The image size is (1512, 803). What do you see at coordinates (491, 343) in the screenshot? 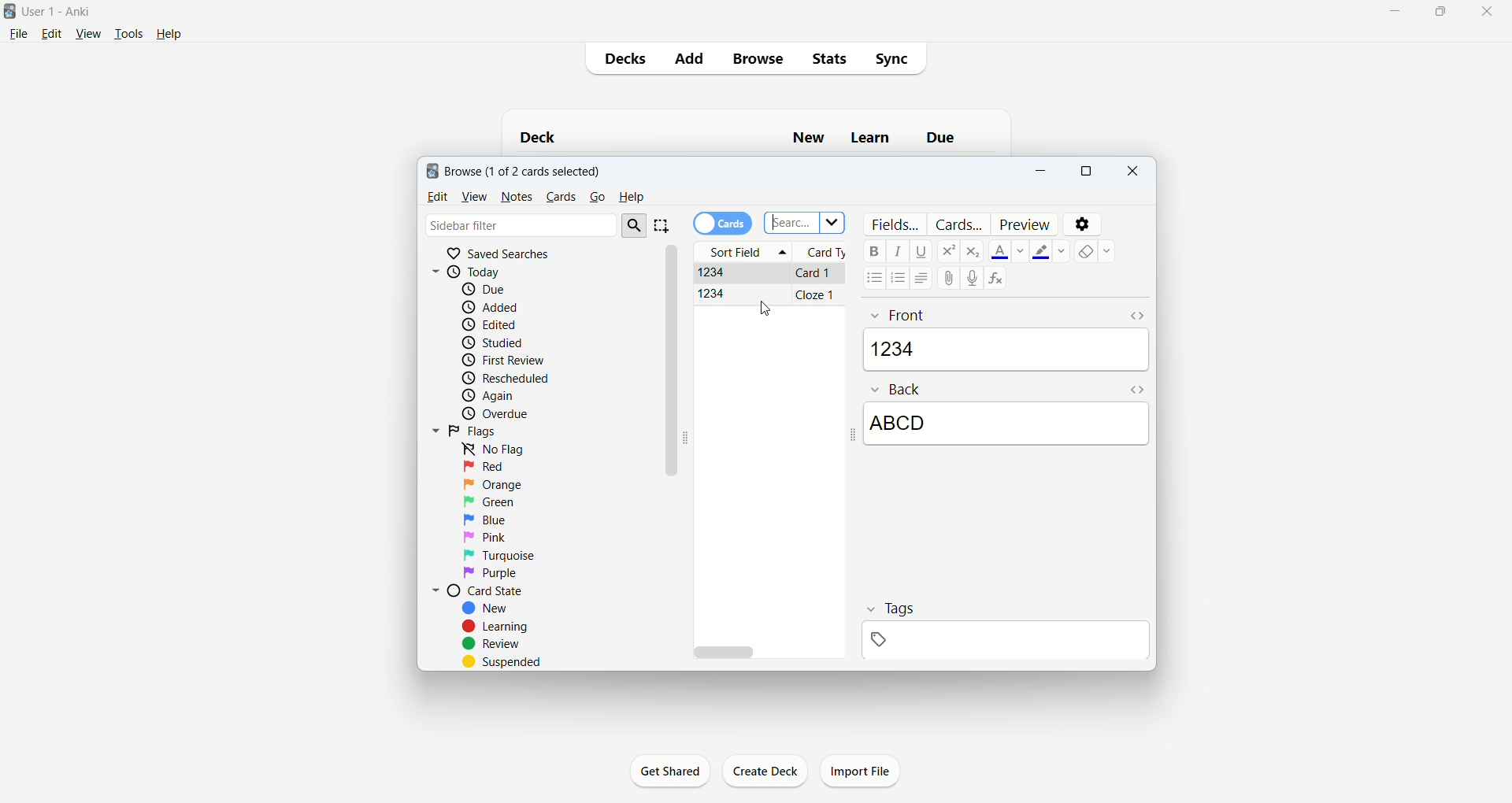
I see `studied` at bounding box center [491, 343].